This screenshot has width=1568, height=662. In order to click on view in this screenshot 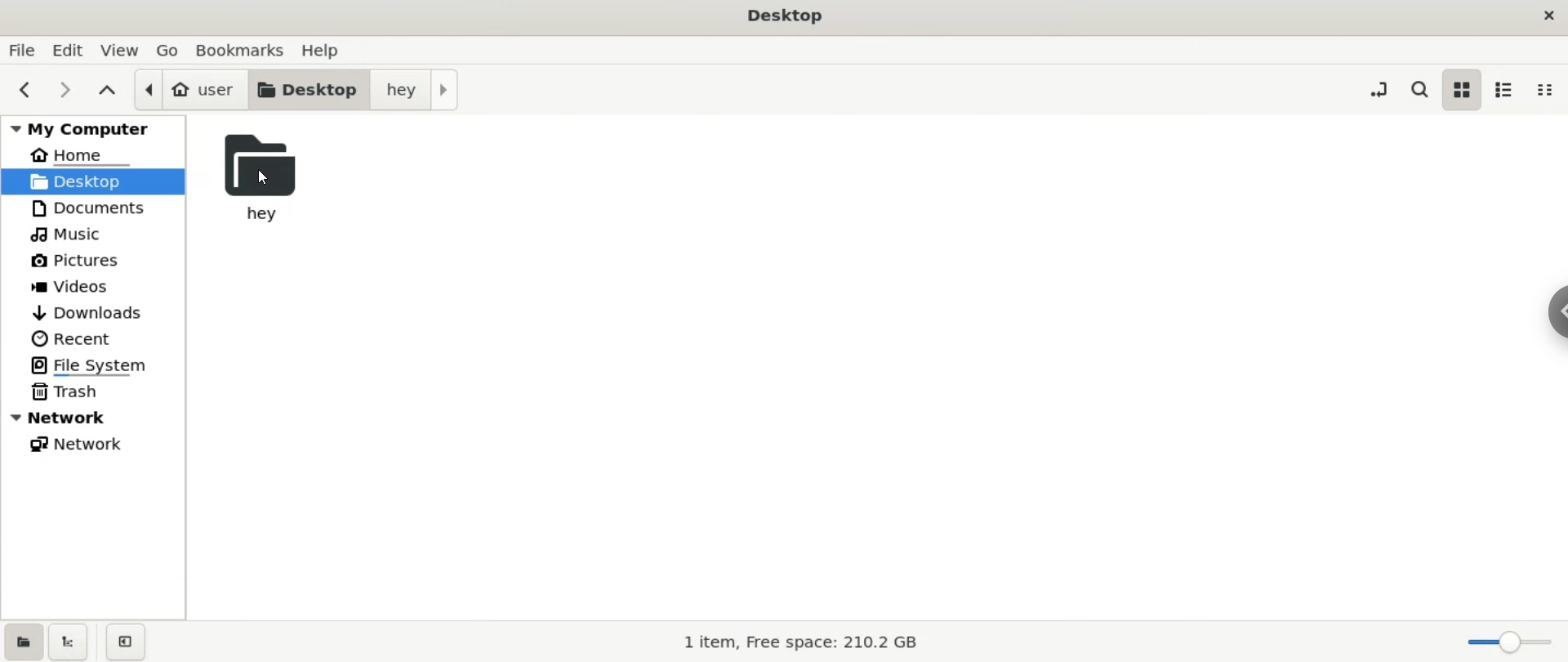, I will do `click(122, 49)`.